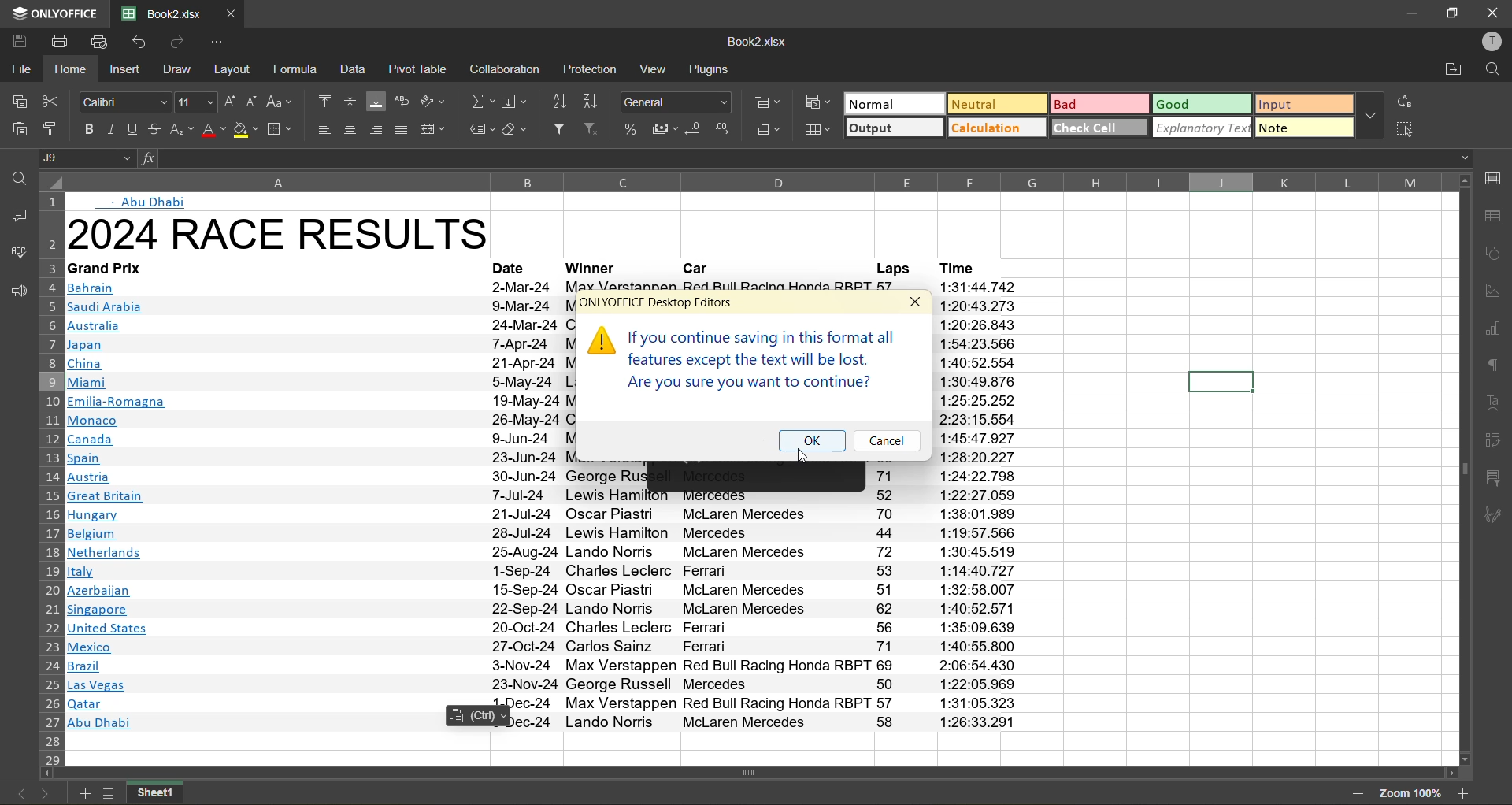 The width and height of the screenshot is (1512, 805). I want to click on text info, so click(543, 591).